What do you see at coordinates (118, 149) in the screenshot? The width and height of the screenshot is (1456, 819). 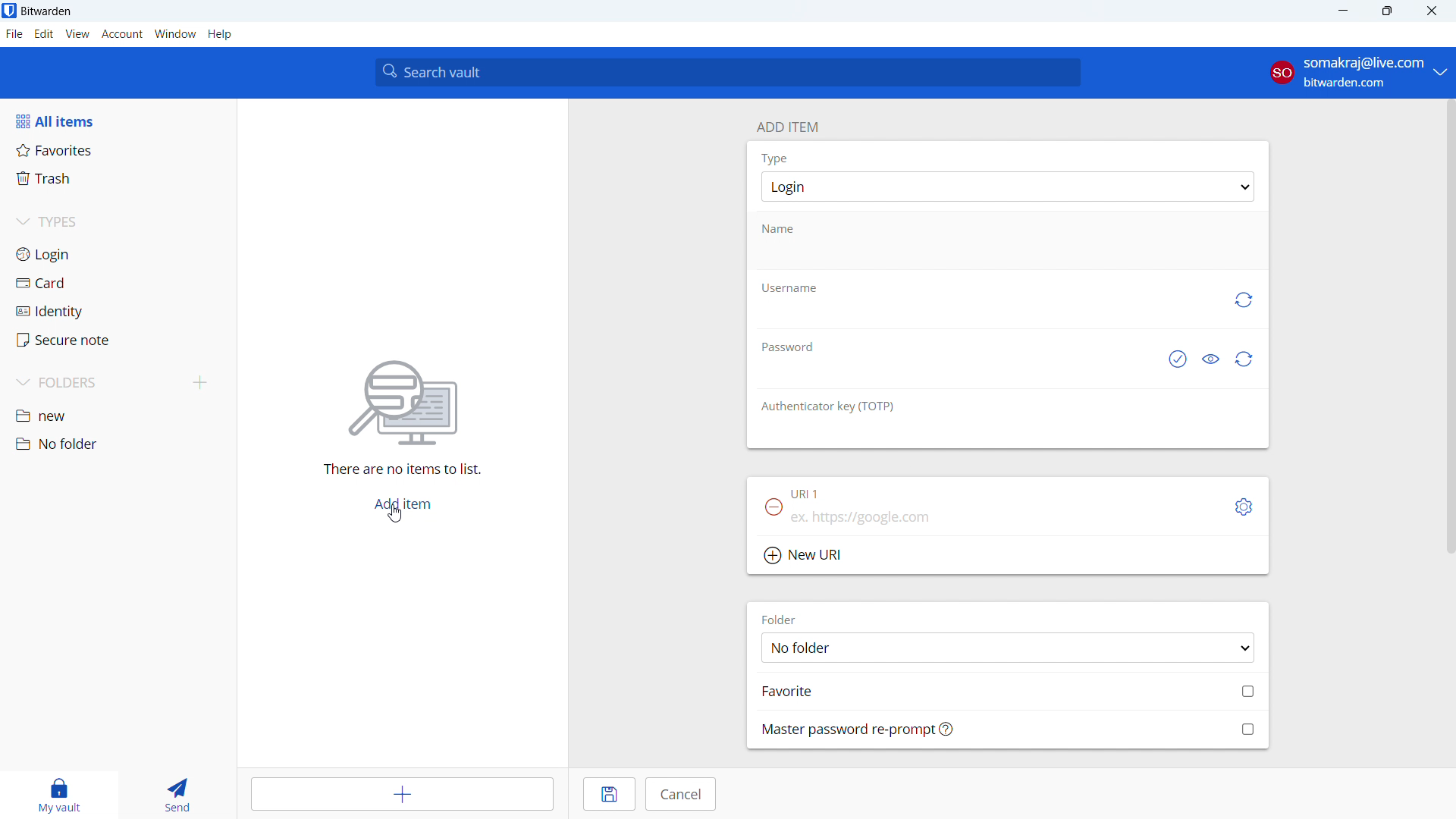 I see `favorites` at bounding box center [118, 149].